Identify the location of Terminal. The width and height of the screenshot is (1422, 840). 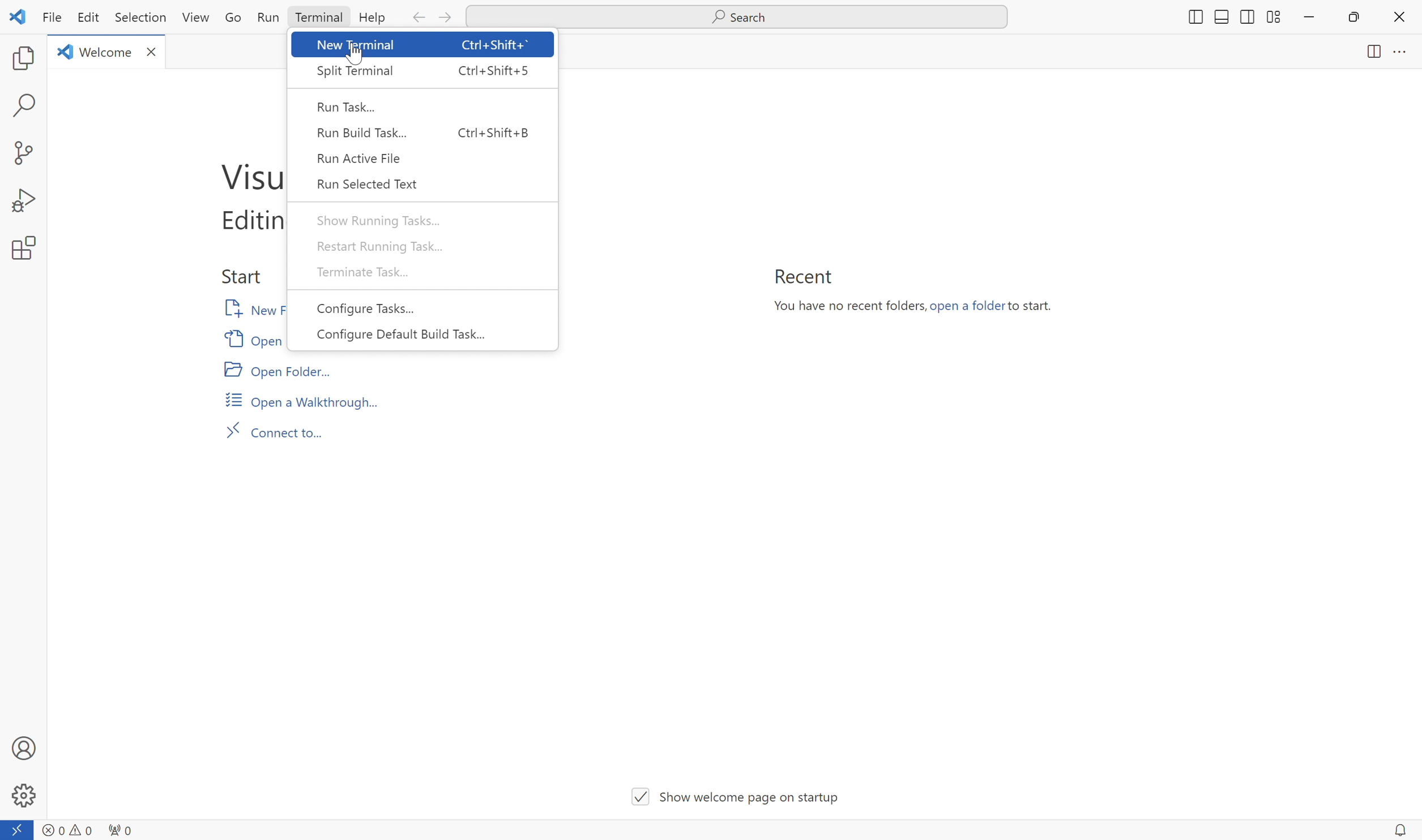
(317, 18).